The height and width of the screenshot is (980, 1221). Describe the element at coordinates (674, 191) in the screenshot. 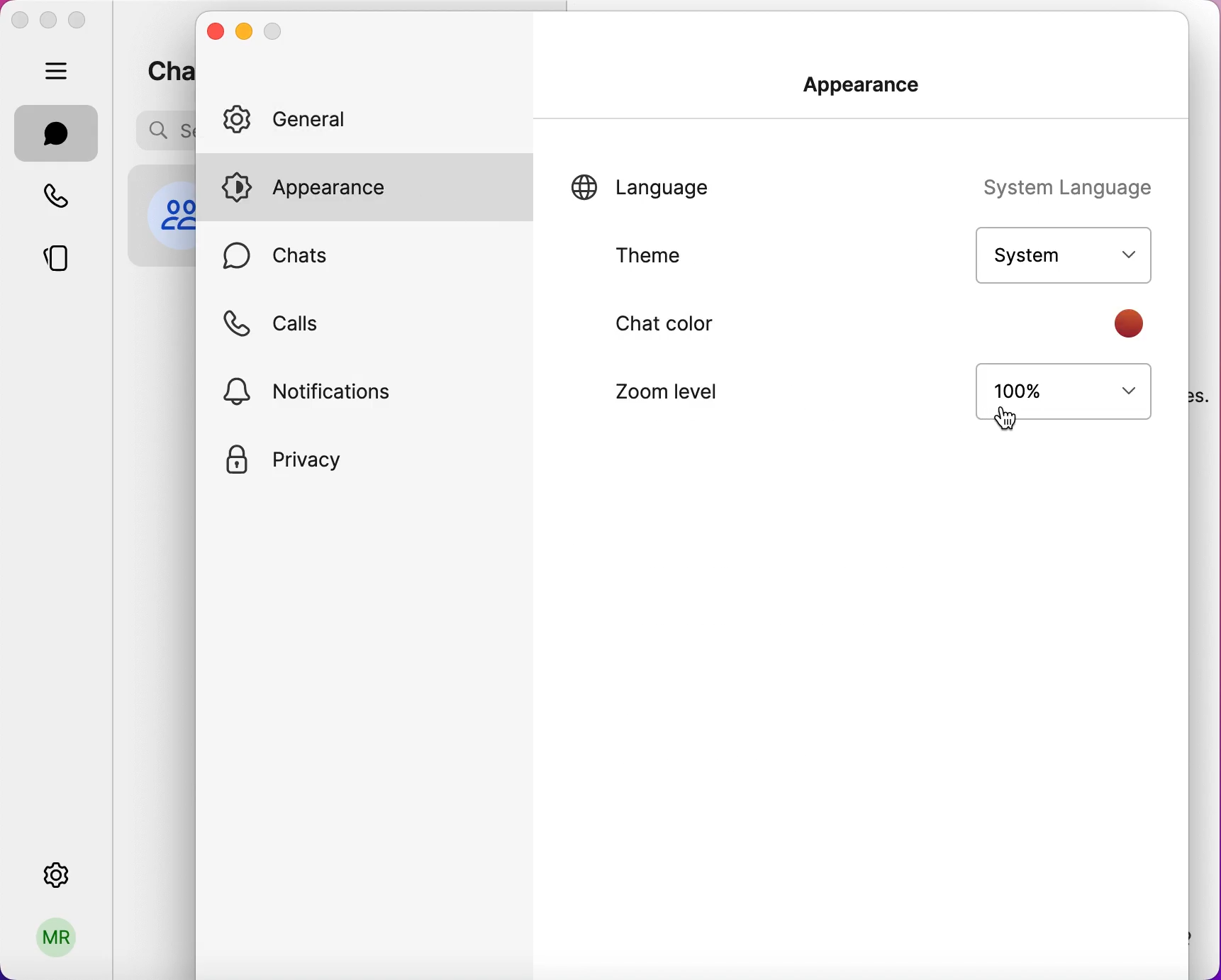

I see `language` at that location.